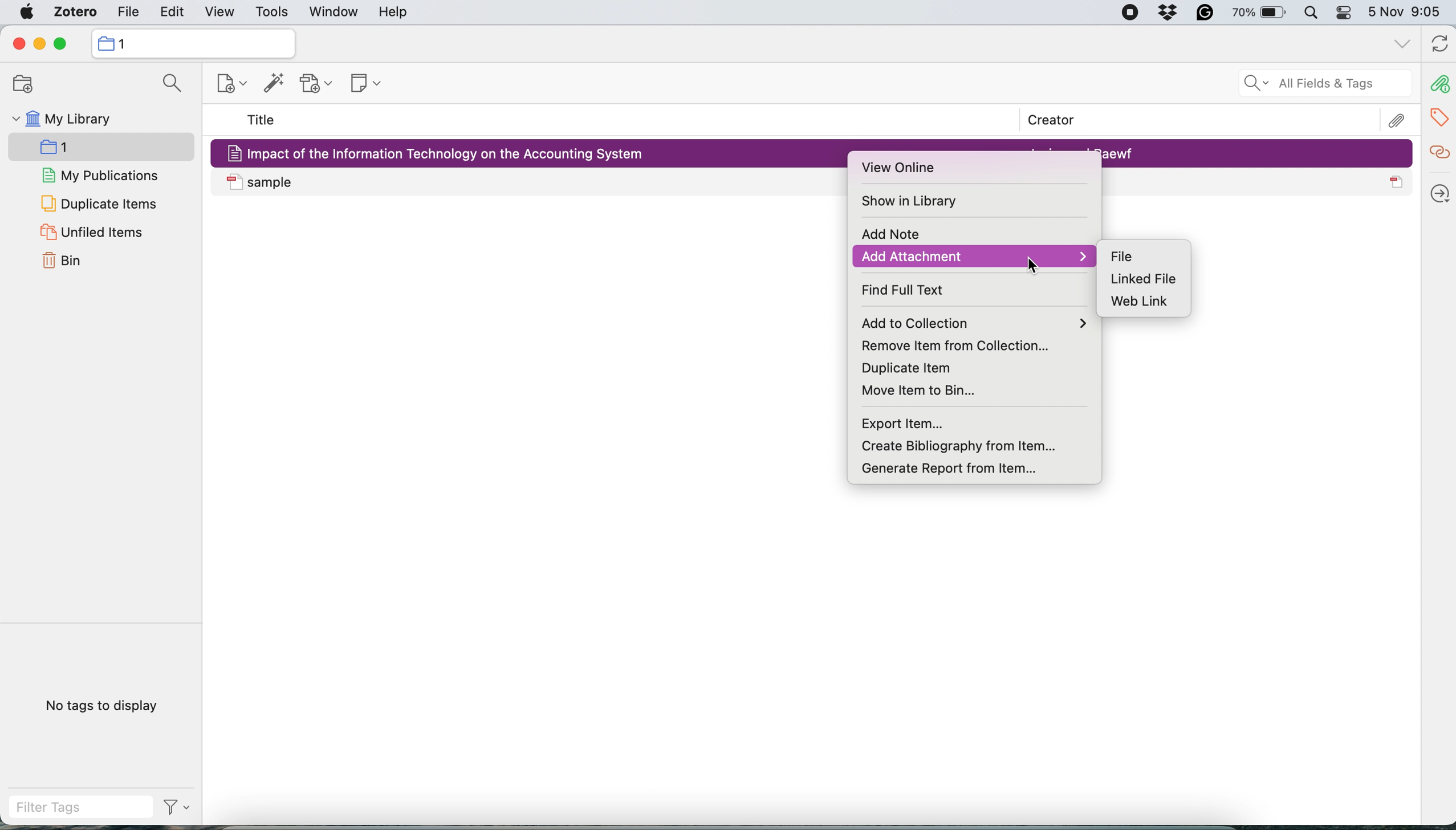 The image size is (1456, 830). Describe the element at coordinates (972, 257) in the screenshot. I see `add attachment` at that location.